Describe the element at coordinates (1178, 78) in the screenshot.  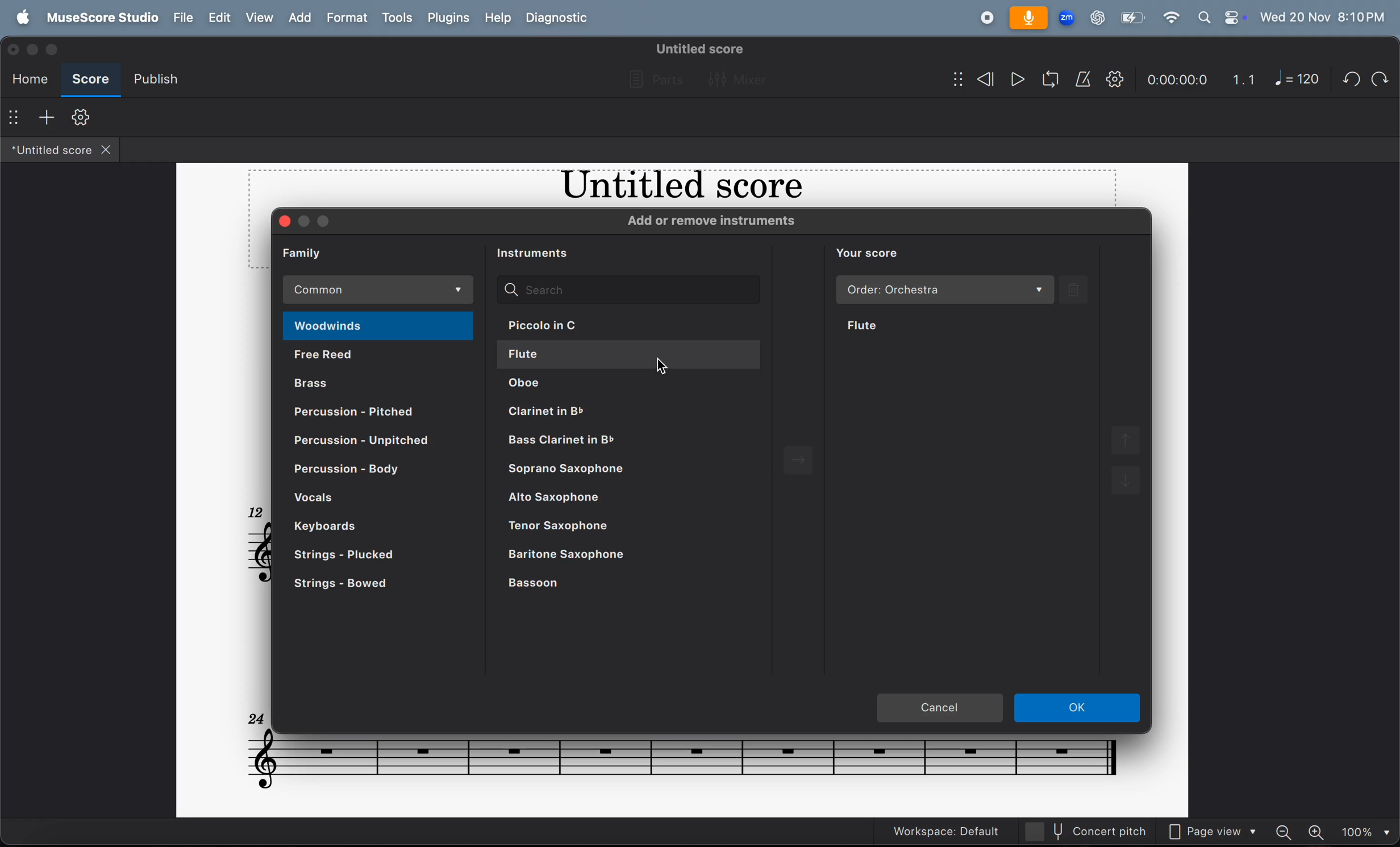
I see `time frame` at that location.